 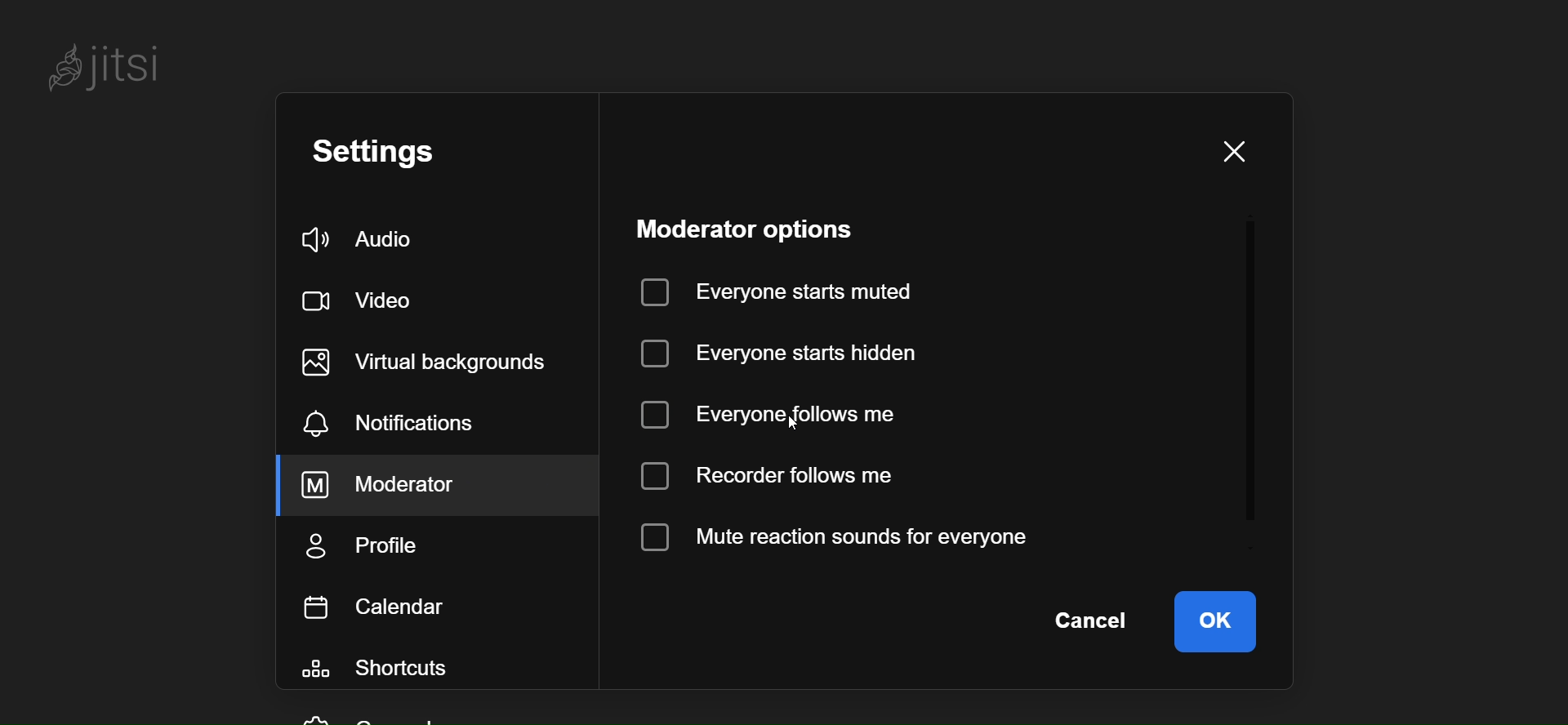 What do you see at coordinates (1214, 620) in the screenshot?
I see `ok` at bounding box center [1214, 620].